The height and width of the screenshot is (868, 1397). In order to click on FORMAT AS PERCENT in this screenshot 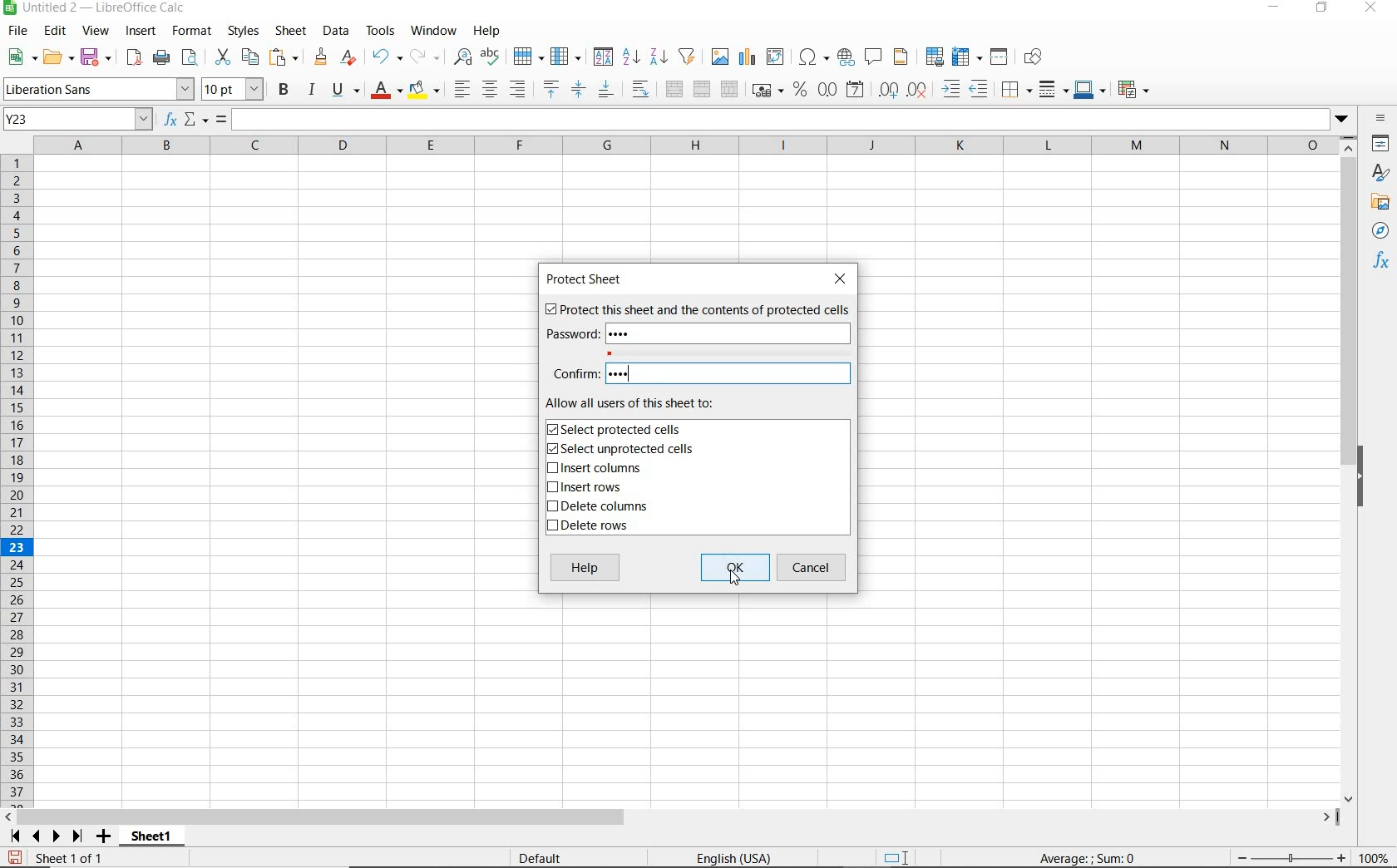, I will do `click(800, 91)`.